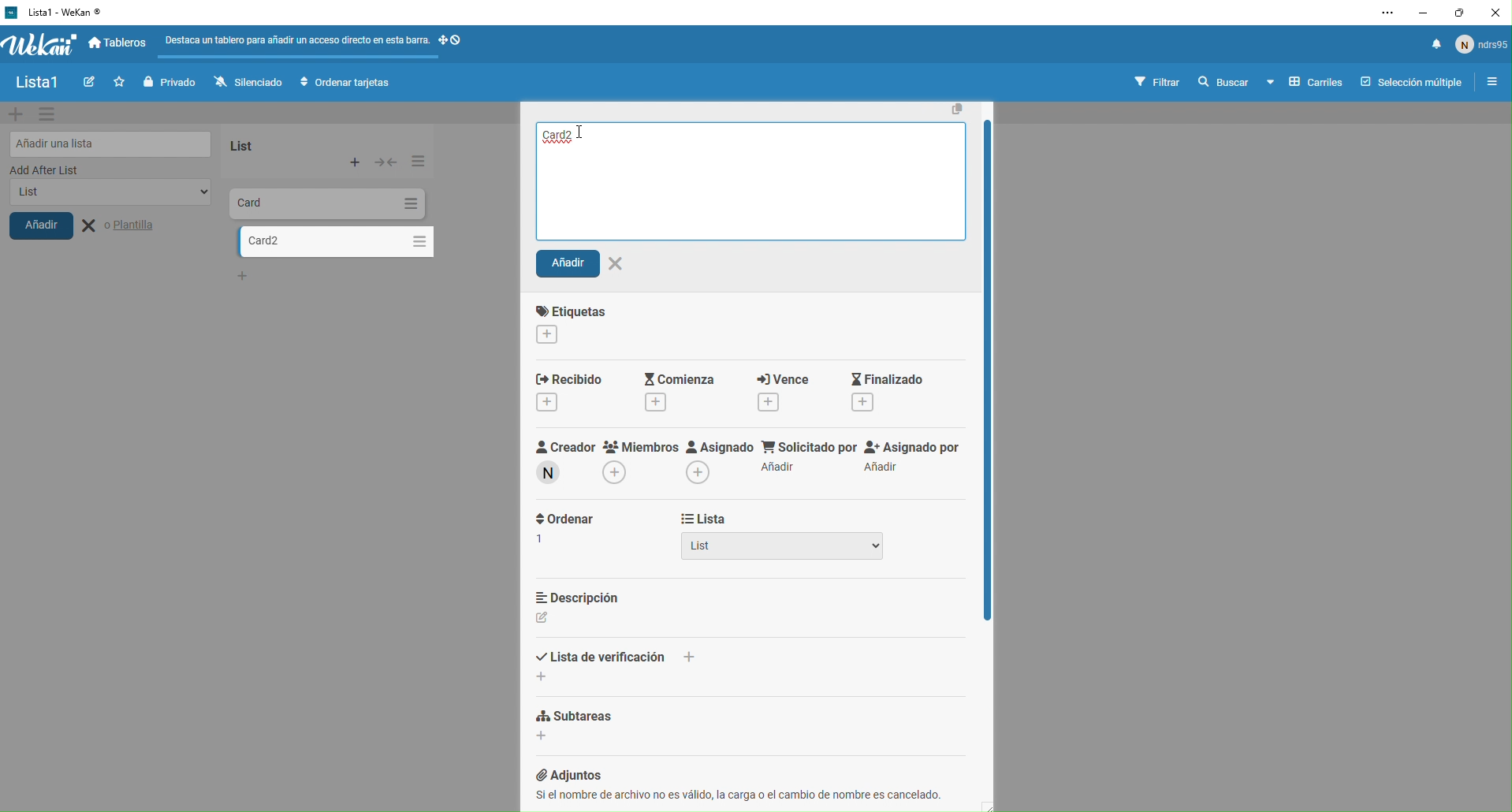 The image size is (1512, 812). What do you see at coordinates (717, 455) in the screenshot?
I see `asignado` at bounding box center [717, 455].